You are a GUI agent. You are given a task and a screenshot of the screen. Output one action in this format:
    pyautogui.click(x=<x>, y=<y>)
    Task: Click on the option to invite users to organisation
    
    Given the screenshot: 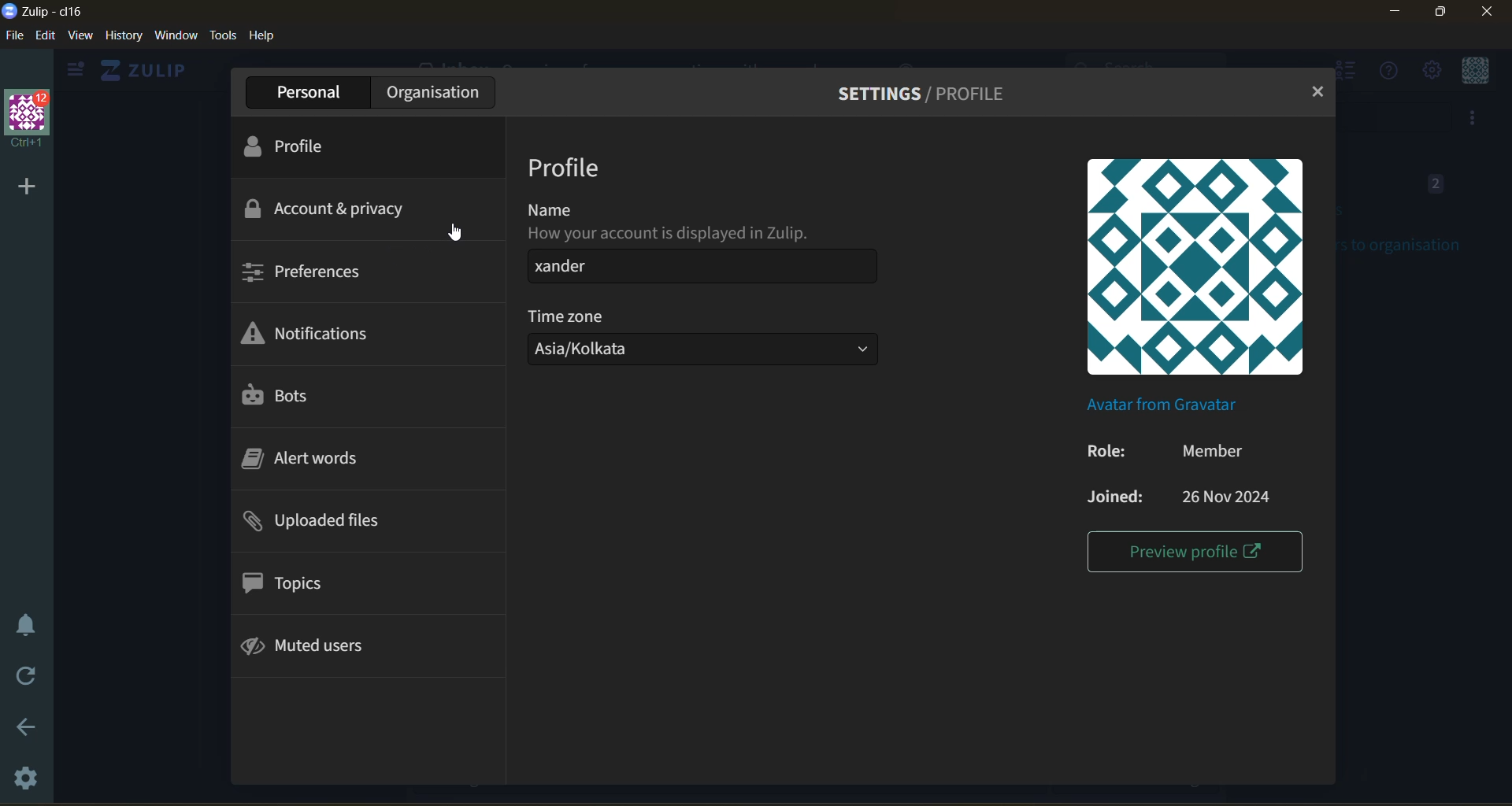 What is the action you would take?
    pyautogui.click(x=1474, y=120)
    